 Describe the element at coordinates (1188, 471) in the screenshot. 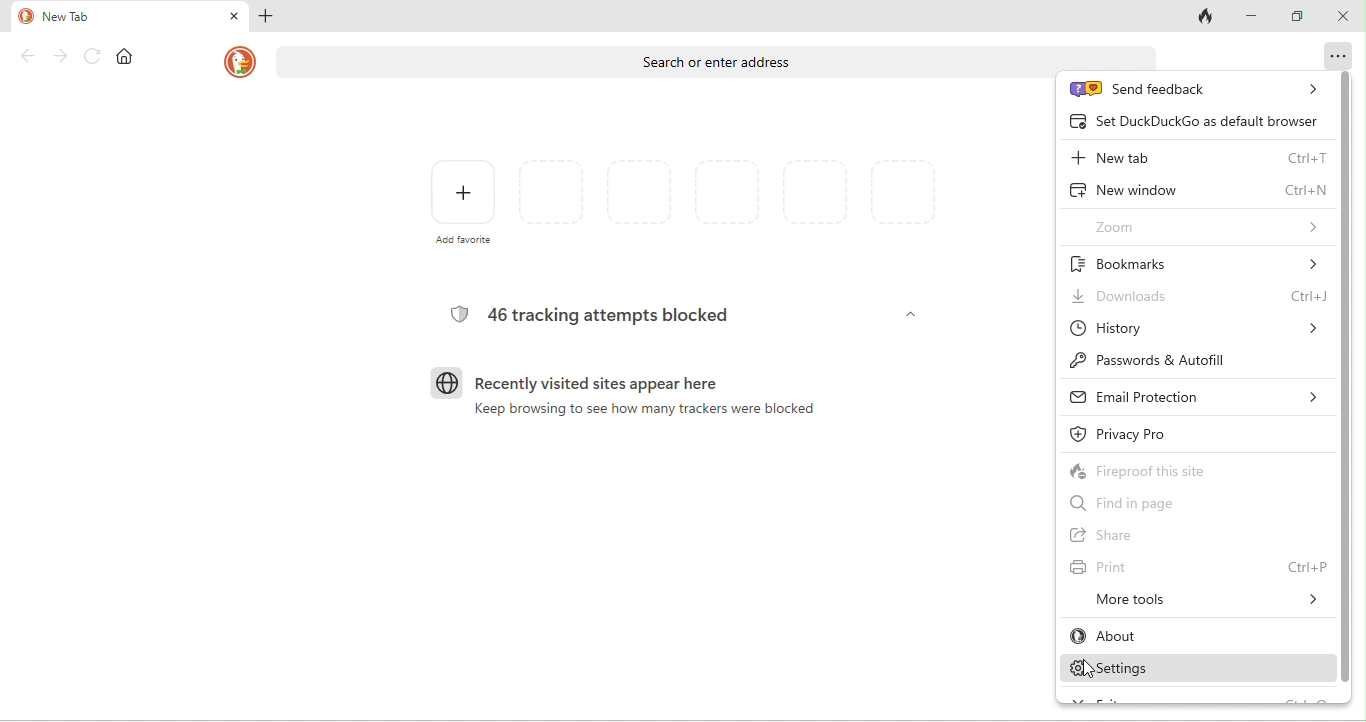

I see `fireproof this site` at that location.